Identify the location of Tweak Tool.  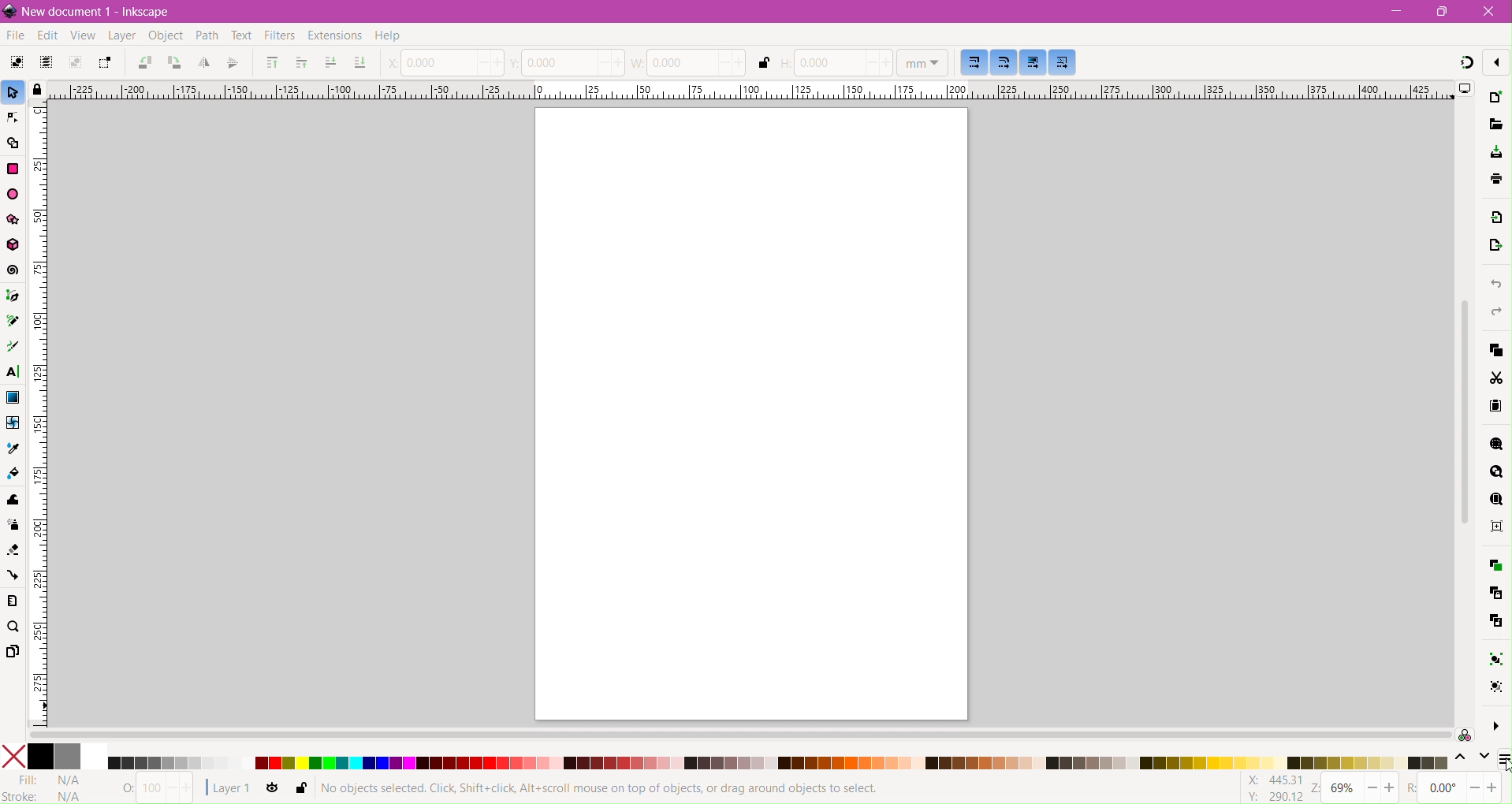
(13, 501).